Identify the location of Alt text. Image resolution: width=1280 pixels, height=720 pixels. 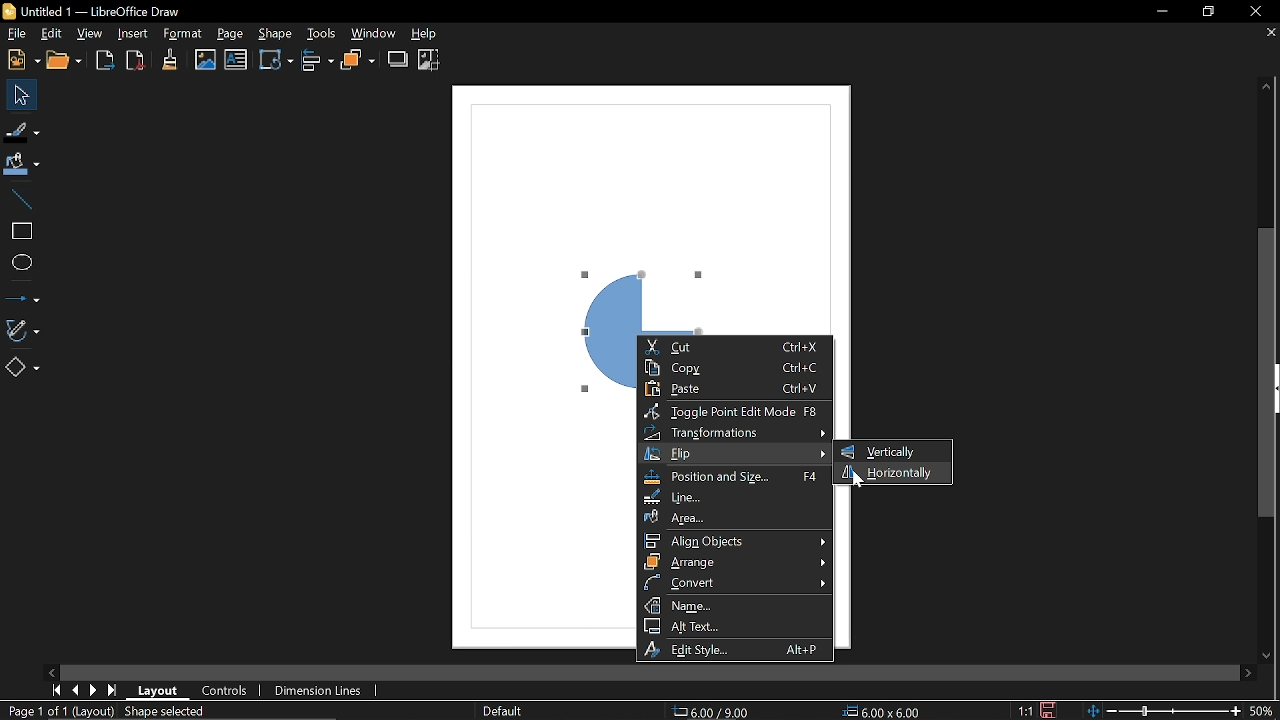
(734, 626).